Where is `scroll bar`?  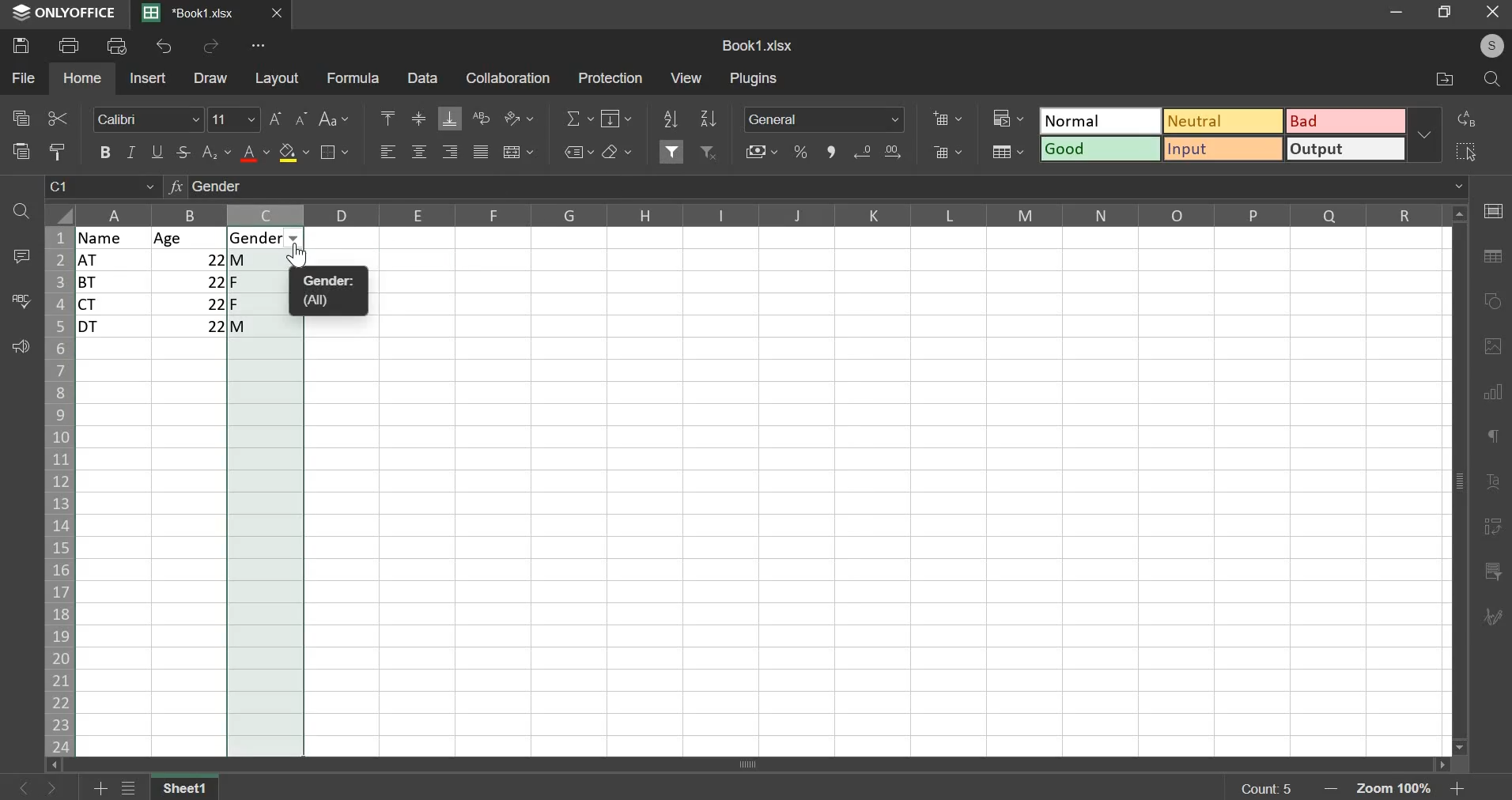 scroll bar is located at coordinates (764, 764).